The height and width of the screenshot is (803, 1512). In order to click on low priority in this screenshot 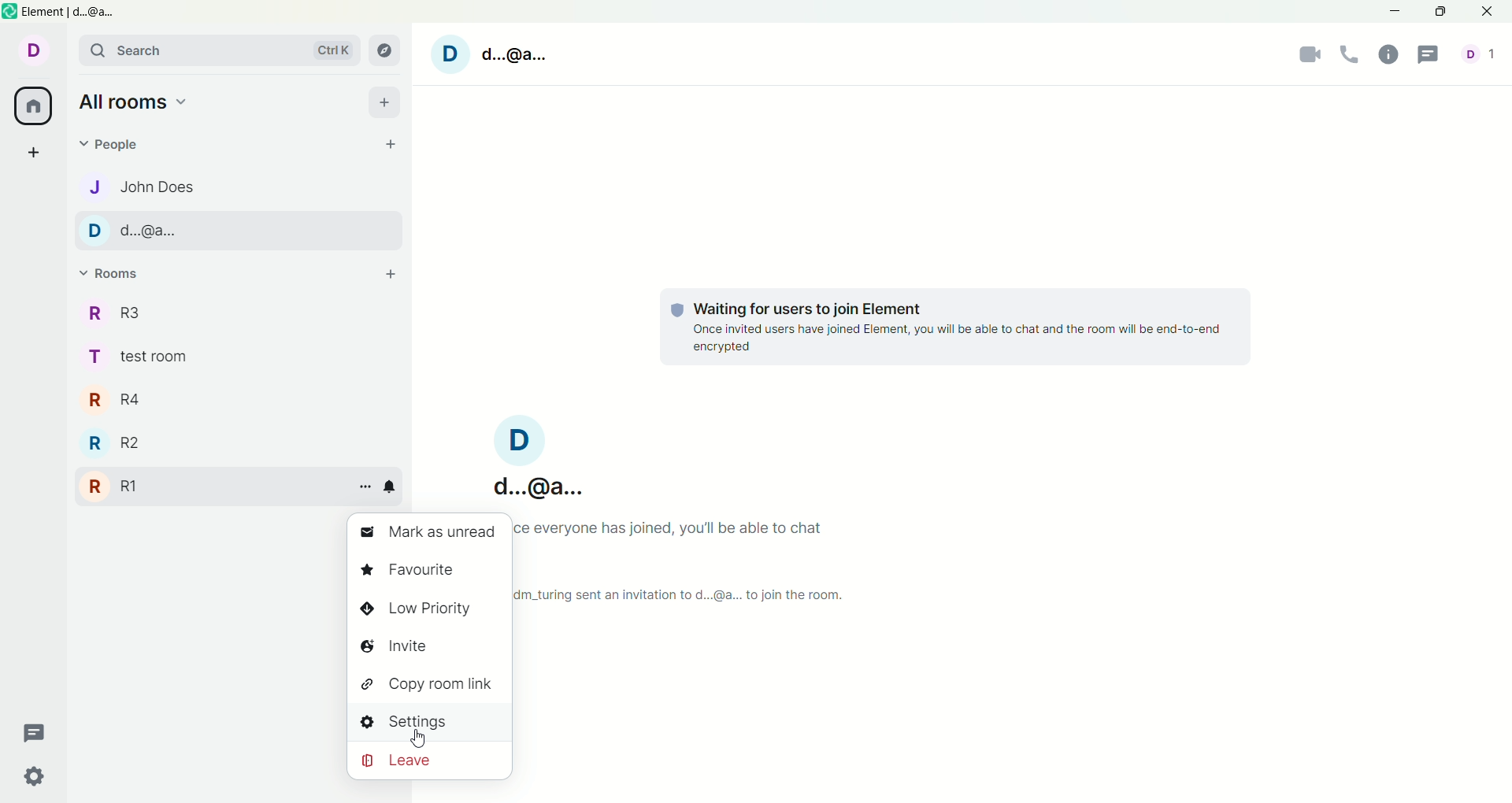, I will do `click(419, 612)`.